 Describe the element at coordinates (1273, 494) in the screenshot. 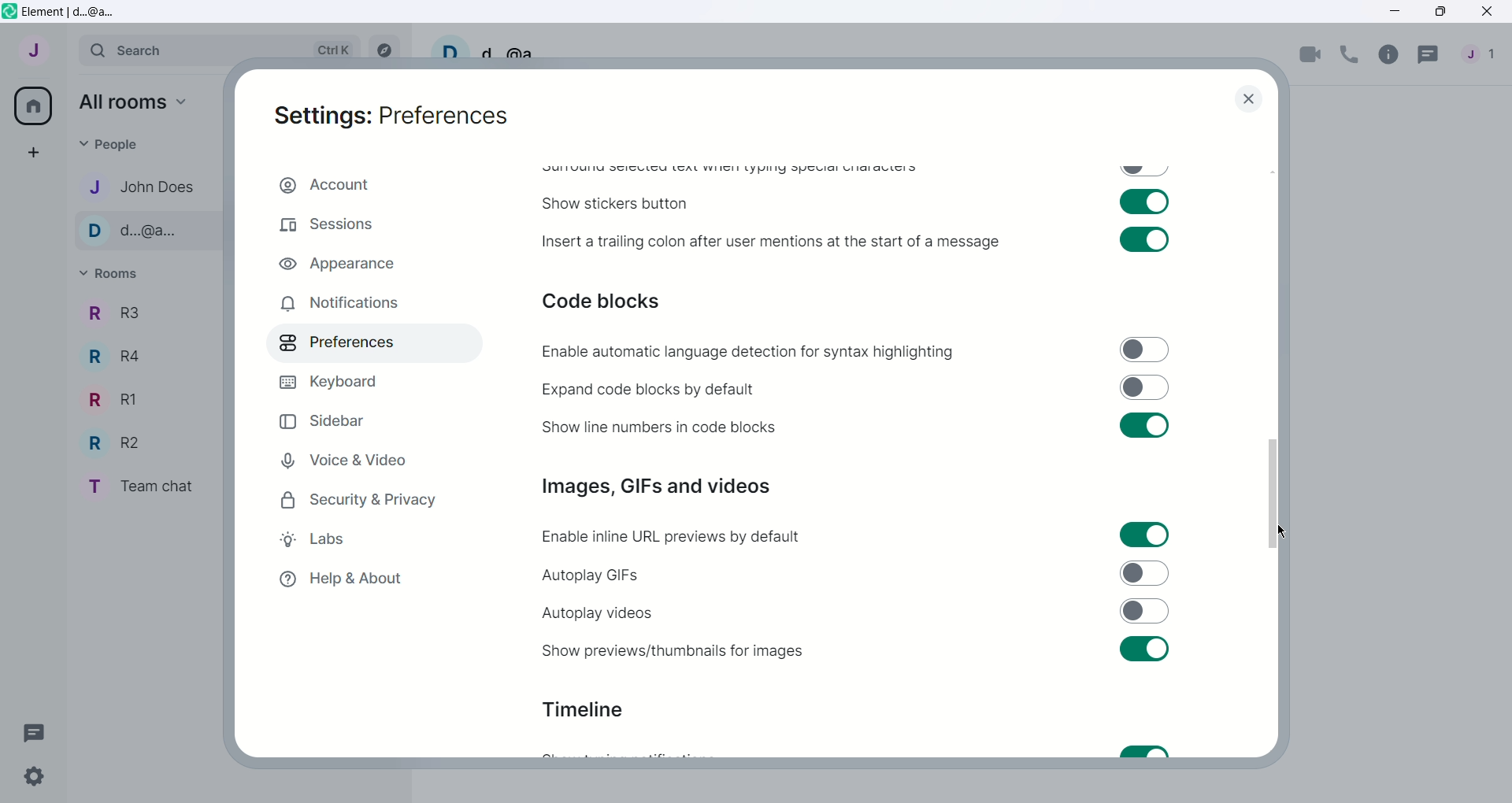

I see `Vertical slide bar` at that location.